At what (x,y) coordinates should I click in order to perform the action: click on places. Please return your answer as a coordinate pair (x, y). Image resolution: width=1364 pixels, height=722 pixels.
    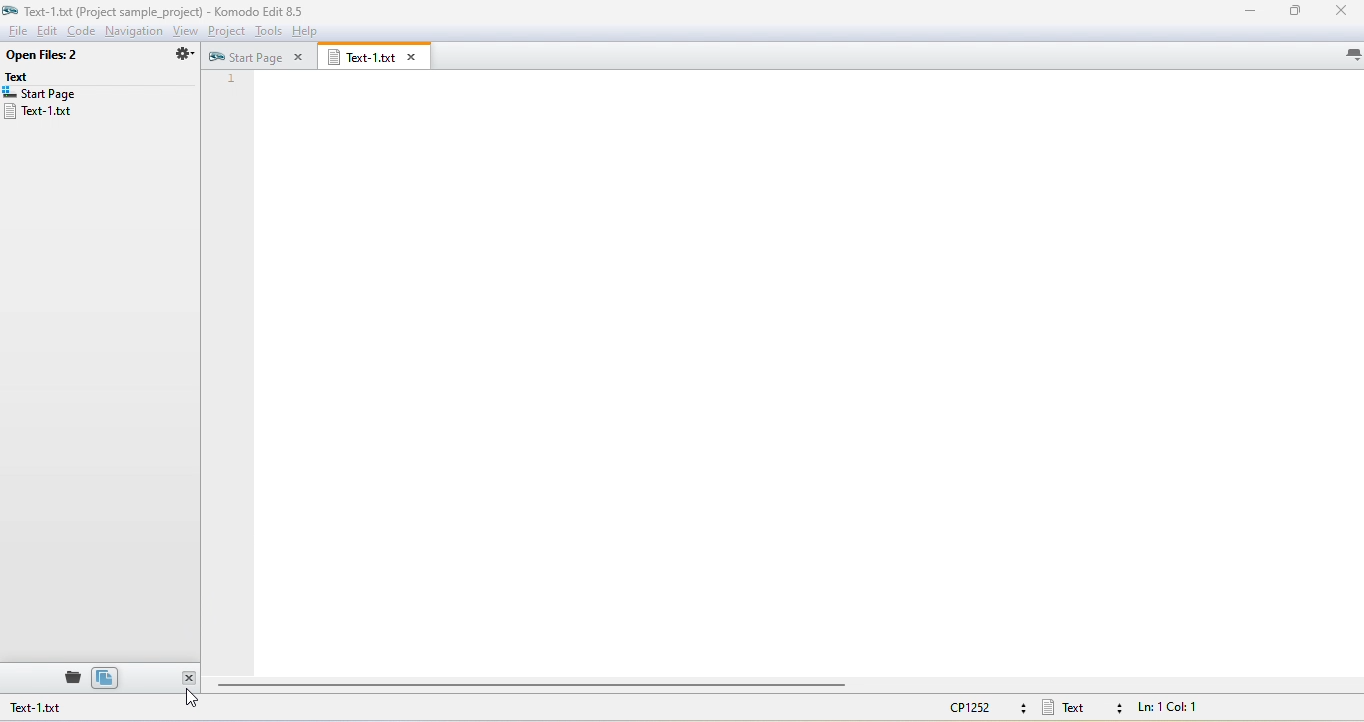
    Looking at the image, I should click on (72, 679).